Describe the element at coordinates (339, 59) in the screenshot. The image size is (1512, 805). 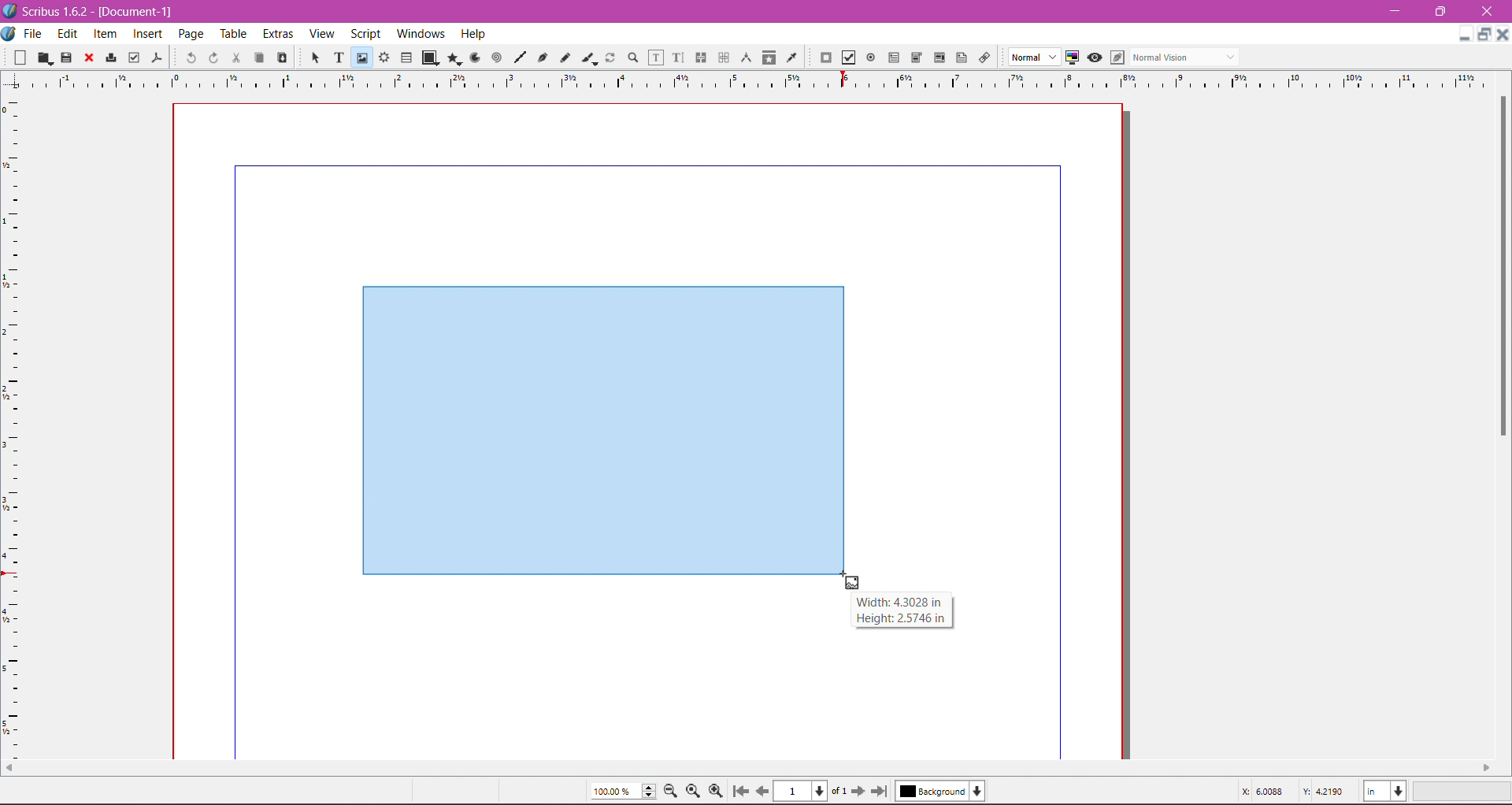
I see `Text Frame` at that location.